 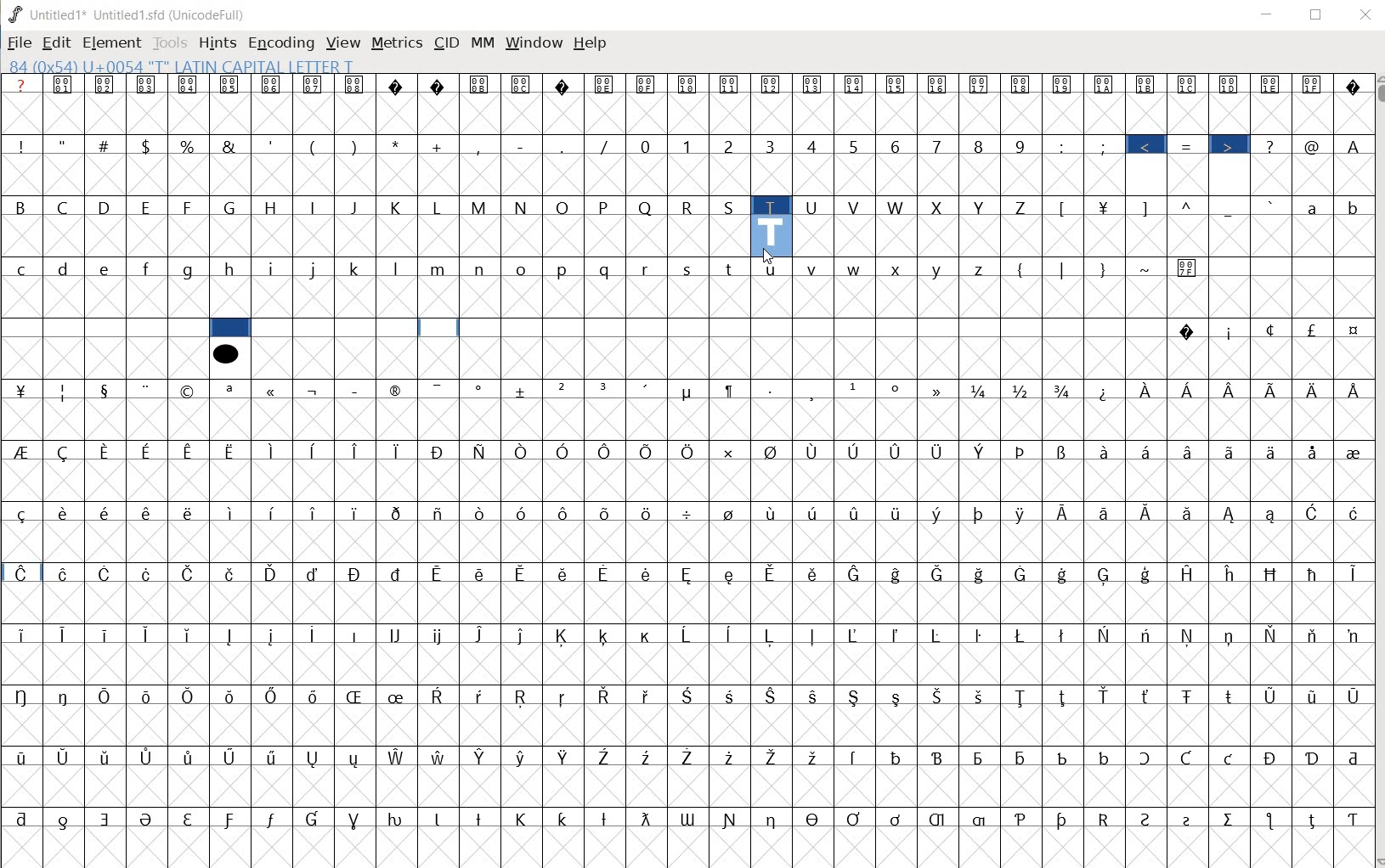 What do you see at coordinates (1313, 330) in the screenshot?
I see `Symbol` at bounding box center [1313, 330].